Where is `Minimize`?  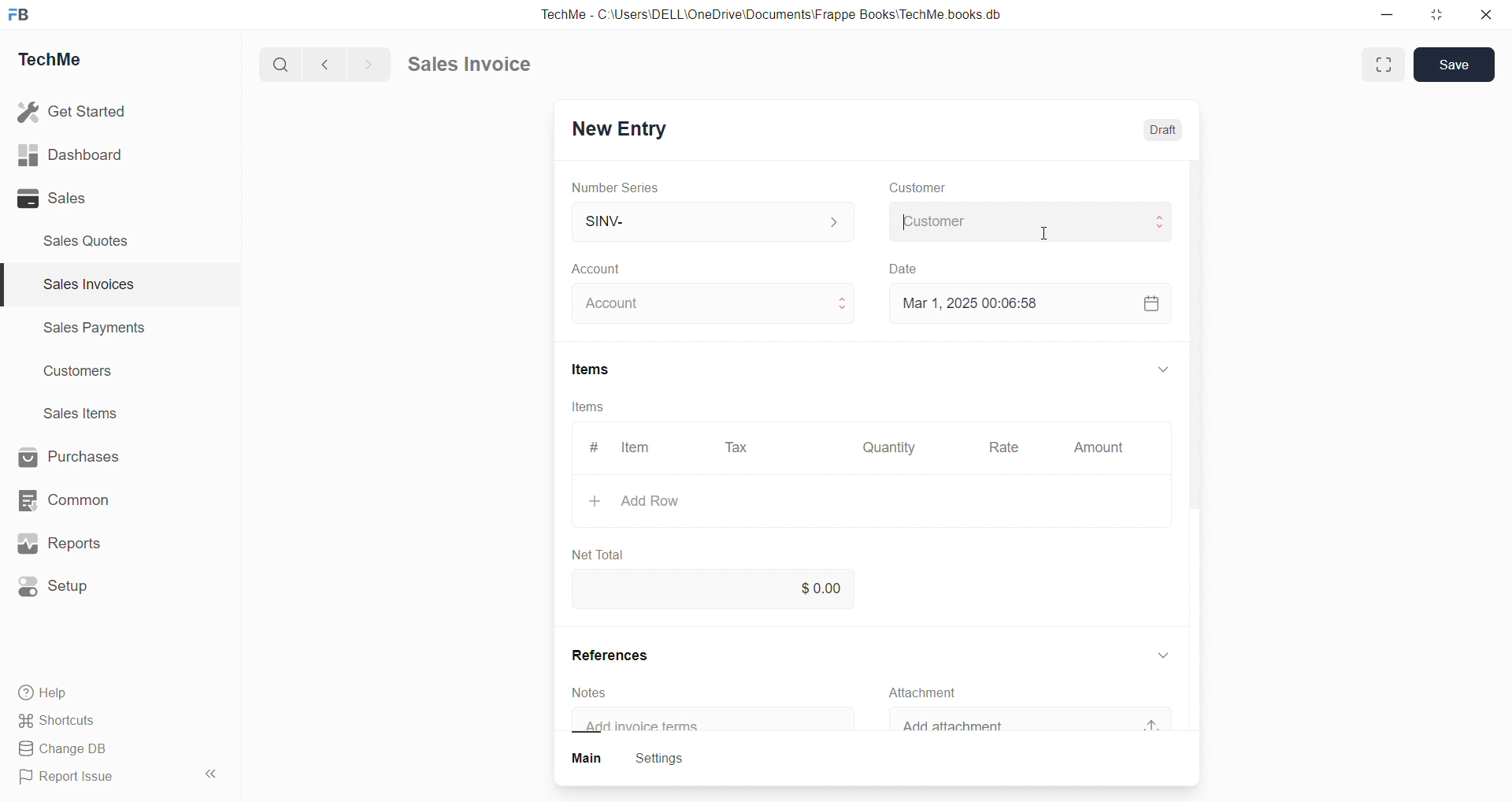
Minimize is located at coordinates (1392, 16).